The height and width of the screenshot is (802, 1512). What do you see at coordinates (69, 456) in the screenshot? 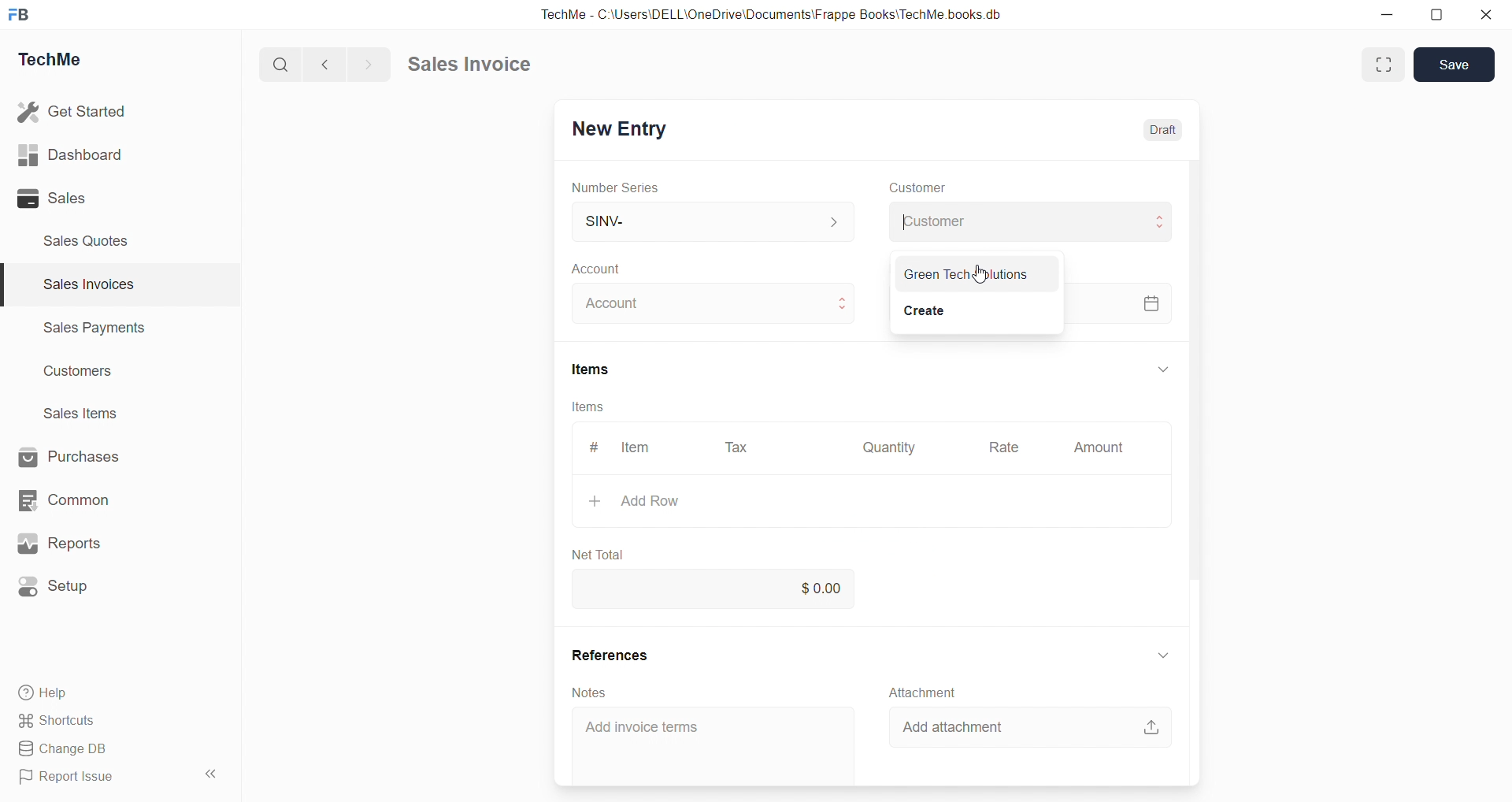
I see `Purchases` at bounding box center [69, 456].